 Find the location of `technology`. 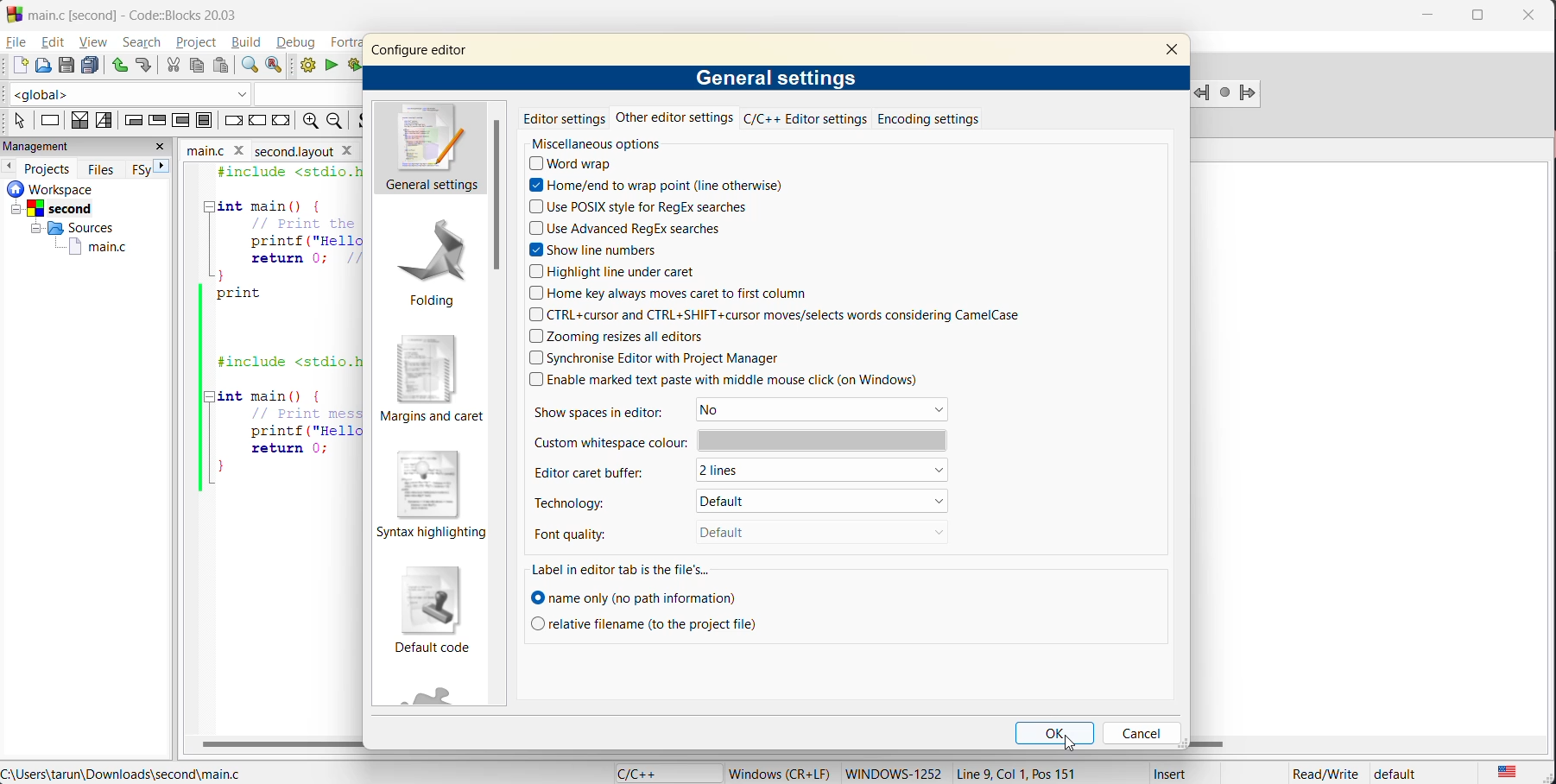

technology is located at coordinates (599, 501).